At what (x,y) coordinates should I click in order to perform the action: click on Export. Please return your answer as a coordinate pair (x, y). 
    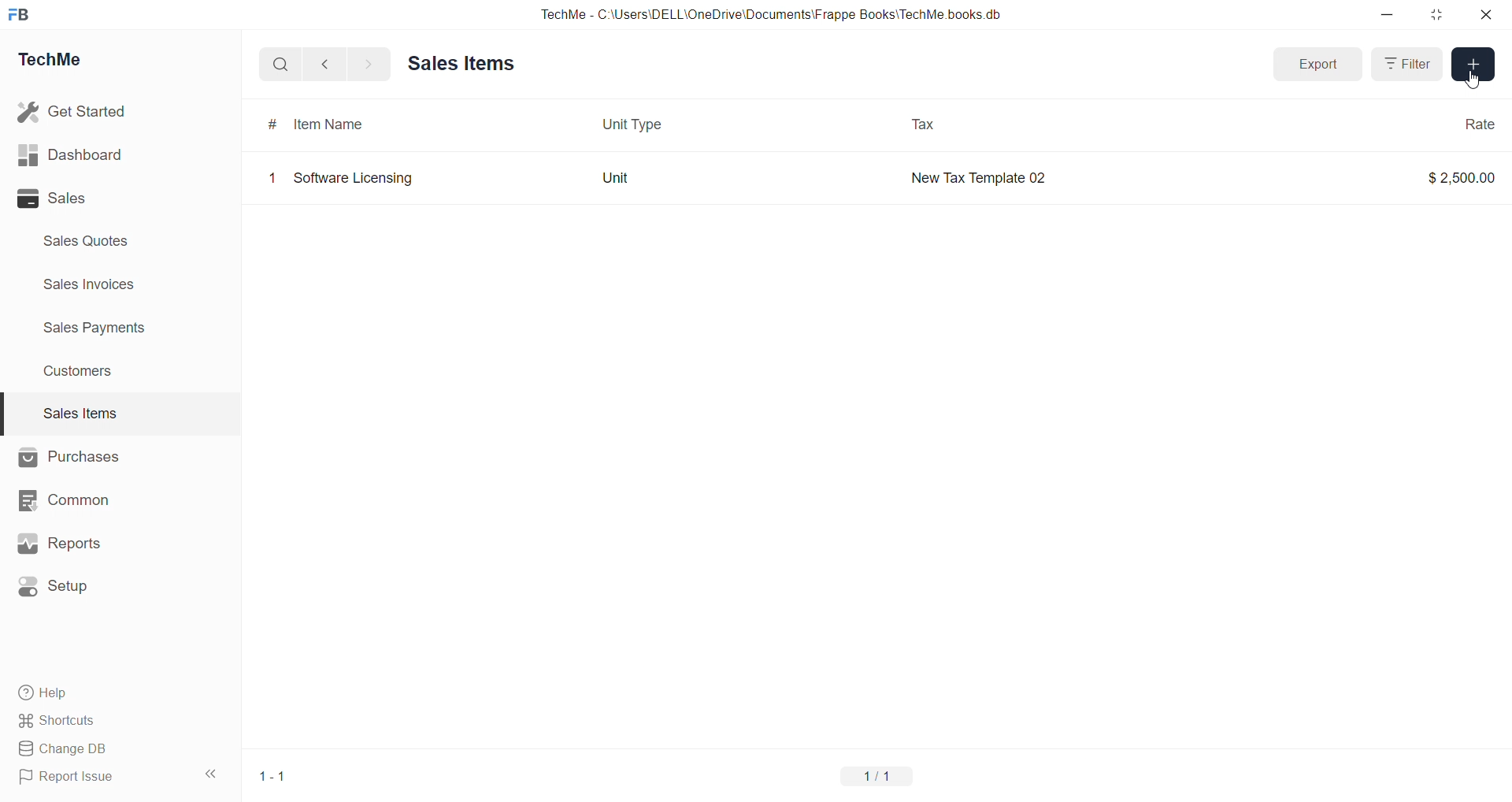
    Looking at the image, I should click on (1320, 65).